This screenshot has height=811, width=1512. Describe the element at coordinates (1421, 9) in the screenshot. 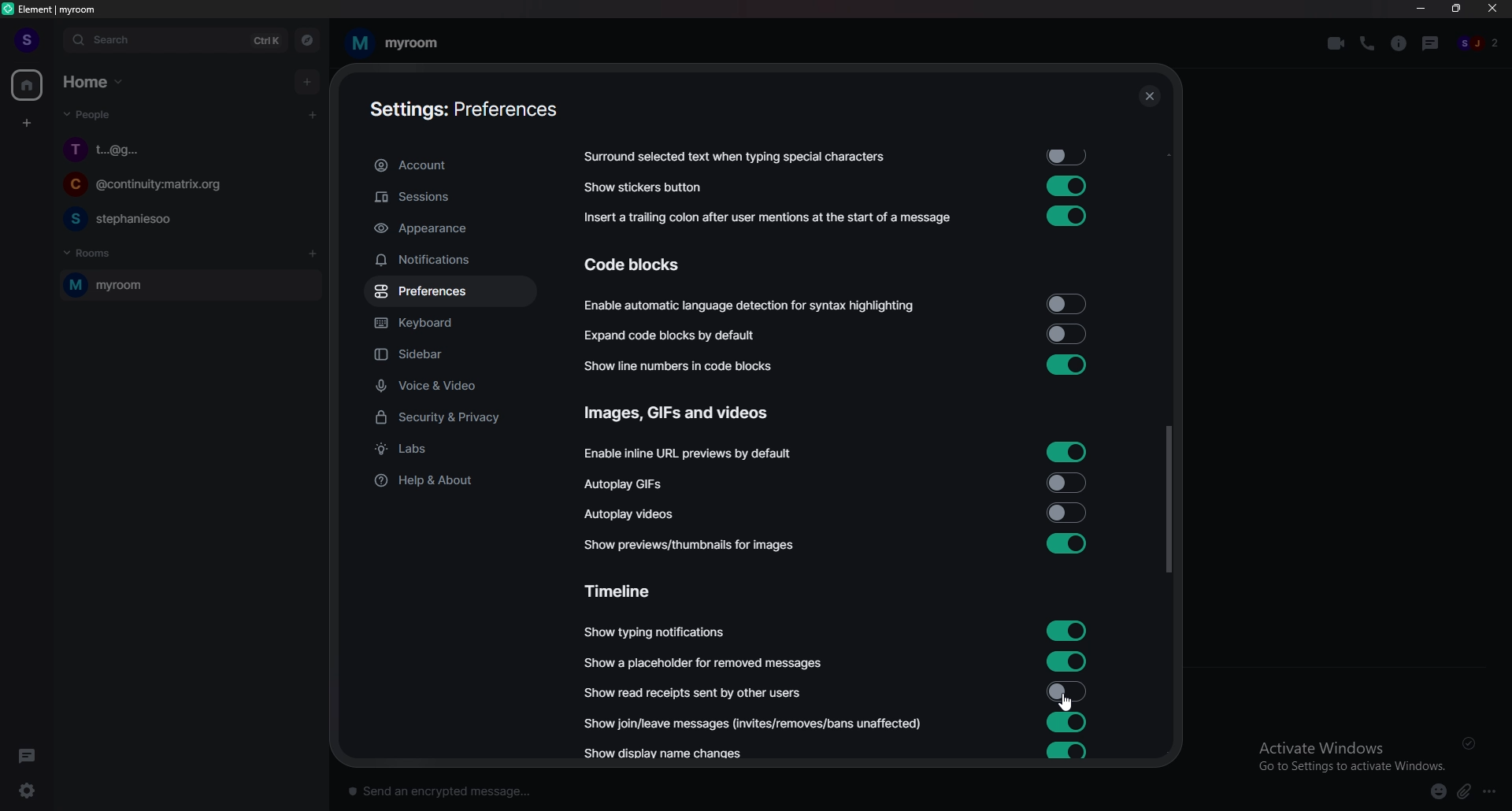

I see `minimize` at that location.